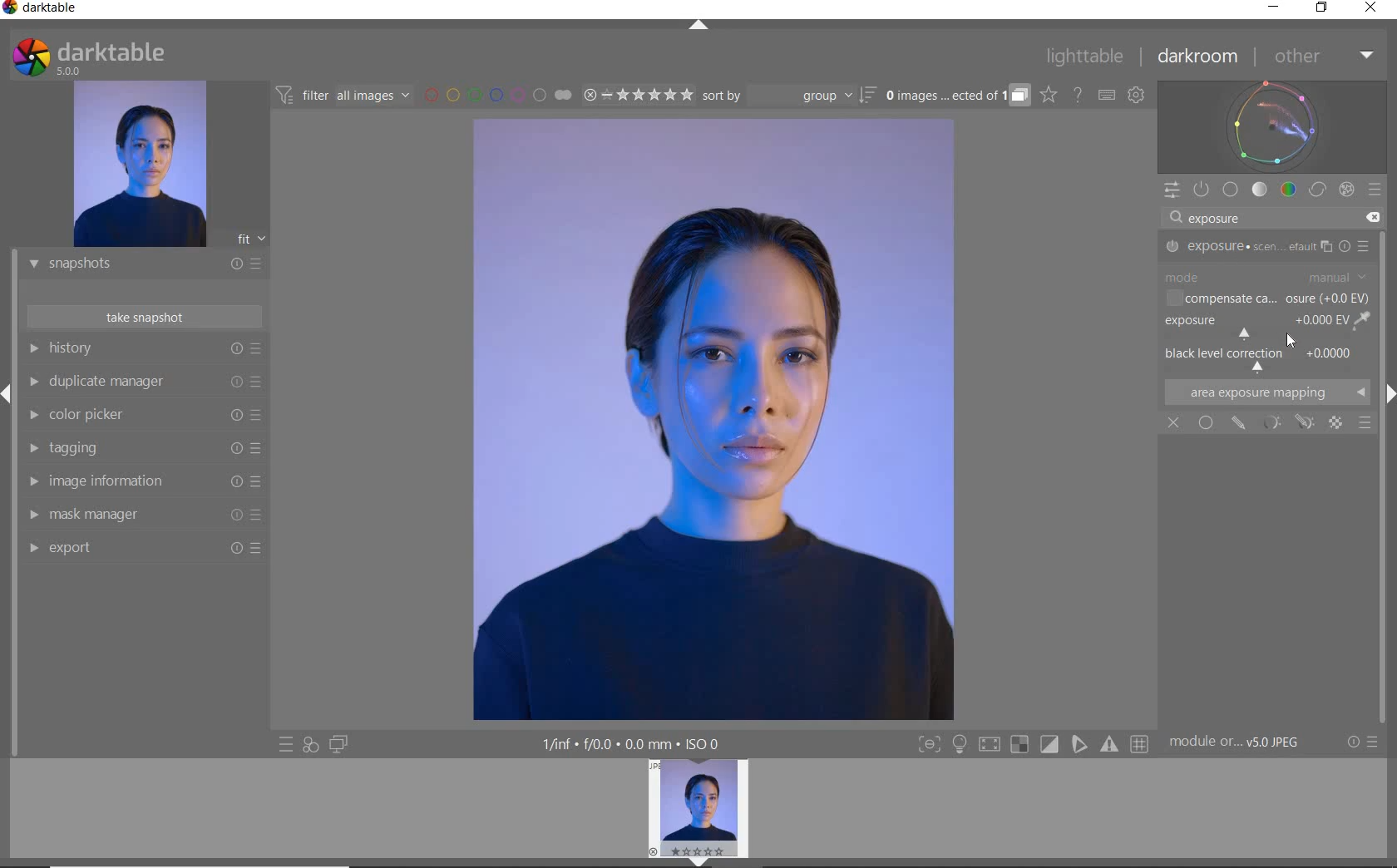 Image resolution: width=1397 pixels, height=868 pixels. Describe the element at coordinates (960, 746) in the screenshot. I see `Button` at that location.